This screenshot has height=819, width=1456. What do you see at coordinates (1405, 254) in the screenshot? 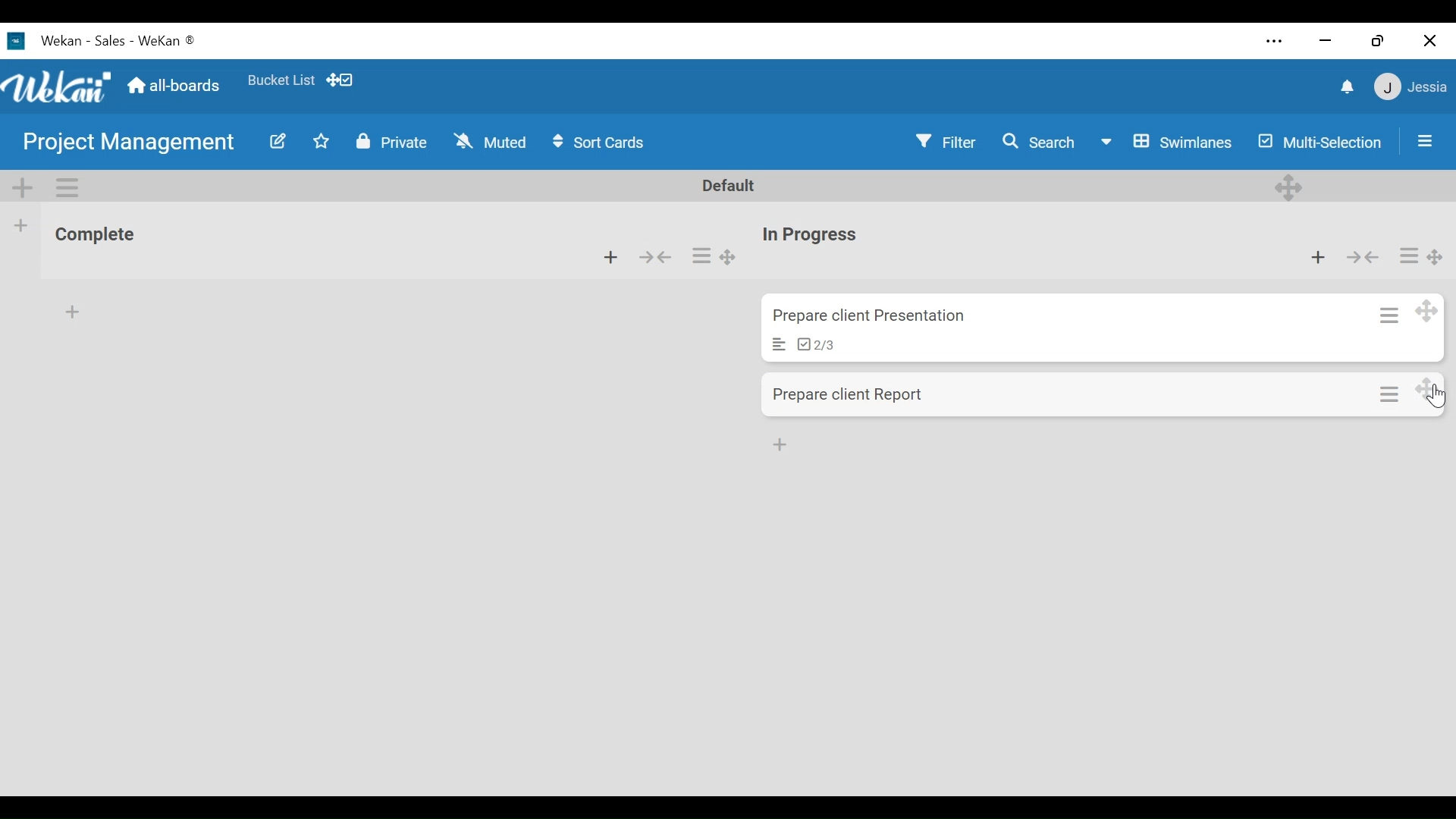
I see `Card actions` at bounding box center [1405, 254].